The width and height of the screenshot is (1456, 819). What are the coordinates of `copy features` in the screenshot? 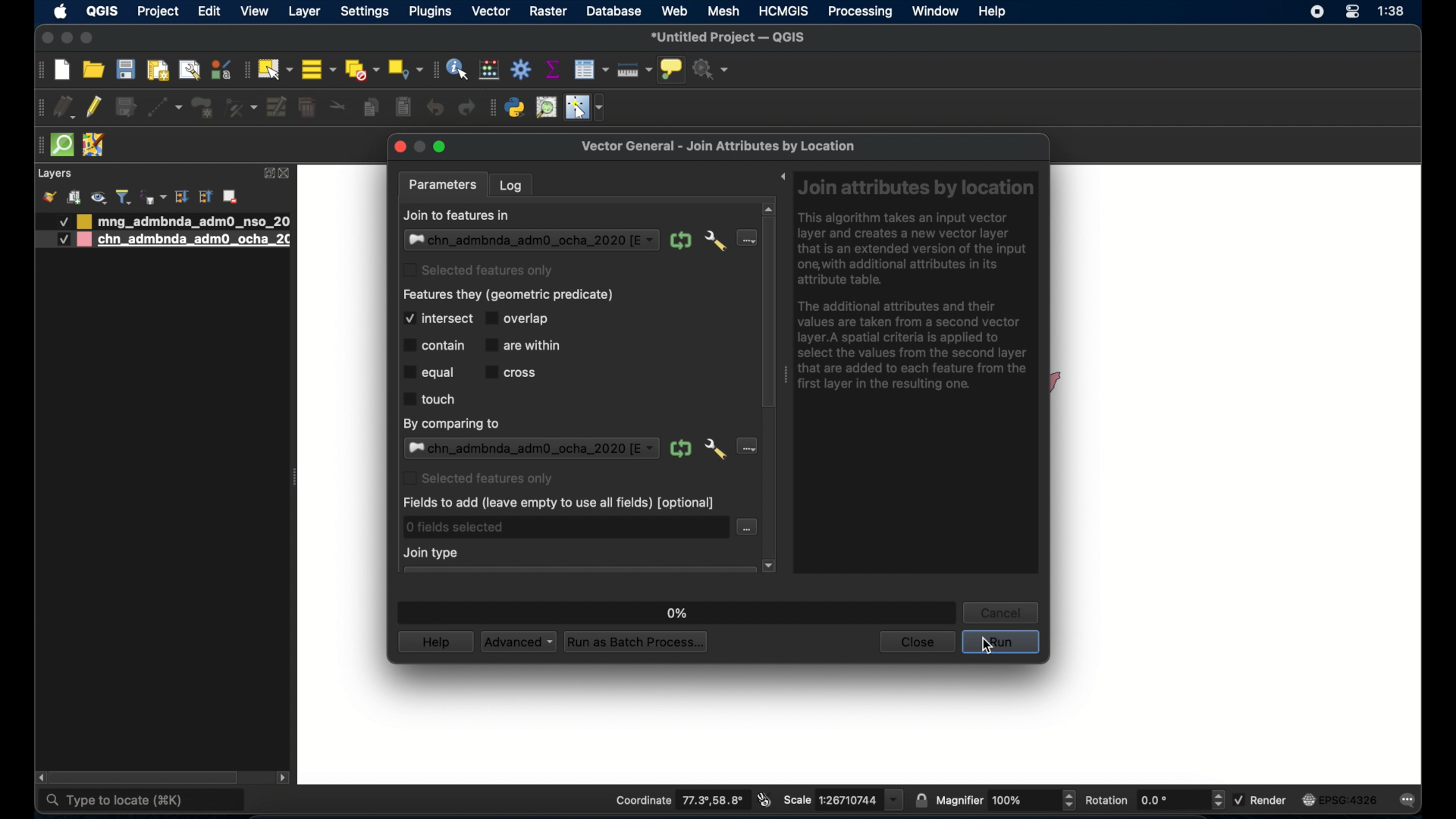 It's located at (372, 110).